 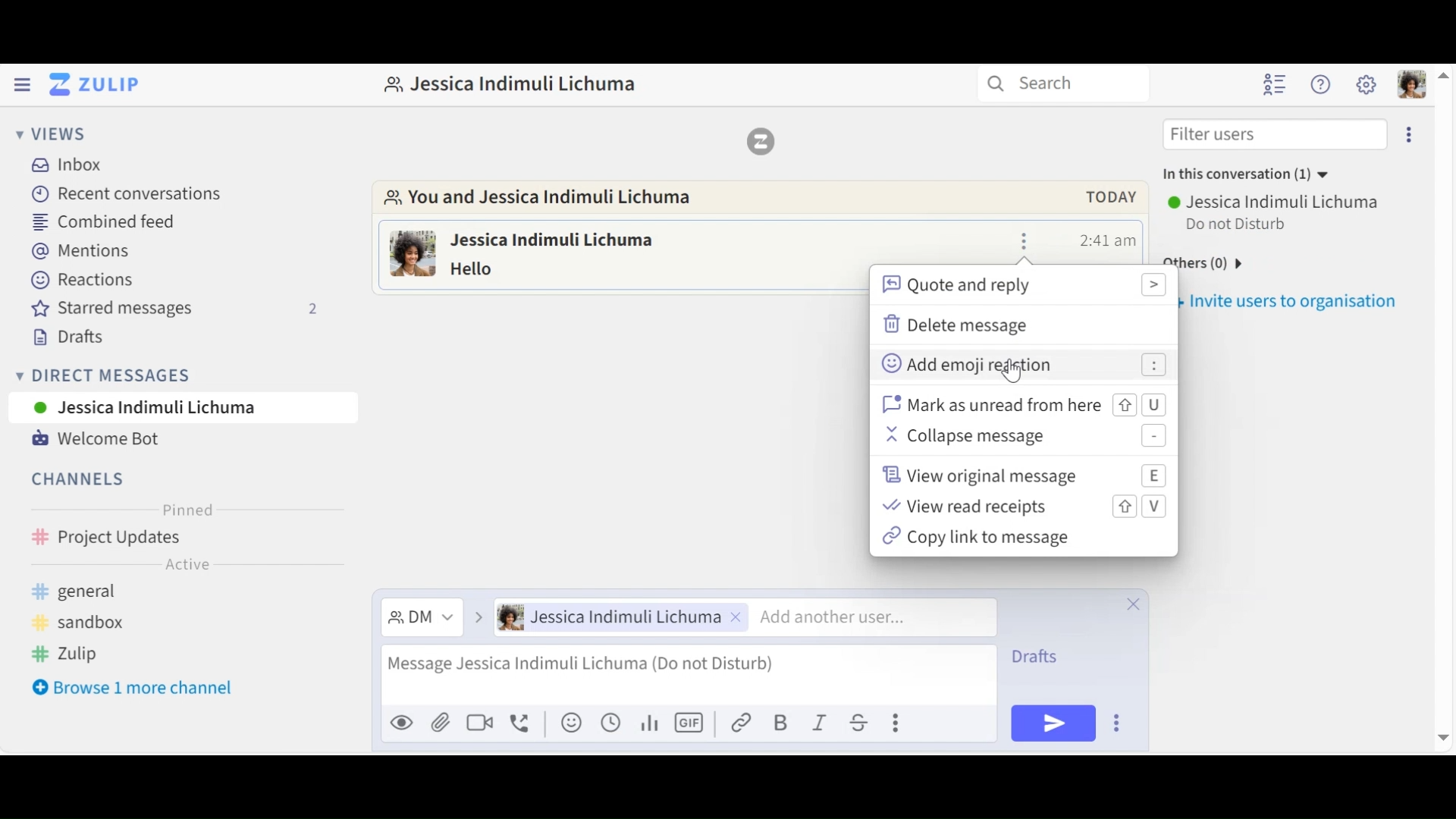 I want to click on View original message, so click(x=1026, y=474).